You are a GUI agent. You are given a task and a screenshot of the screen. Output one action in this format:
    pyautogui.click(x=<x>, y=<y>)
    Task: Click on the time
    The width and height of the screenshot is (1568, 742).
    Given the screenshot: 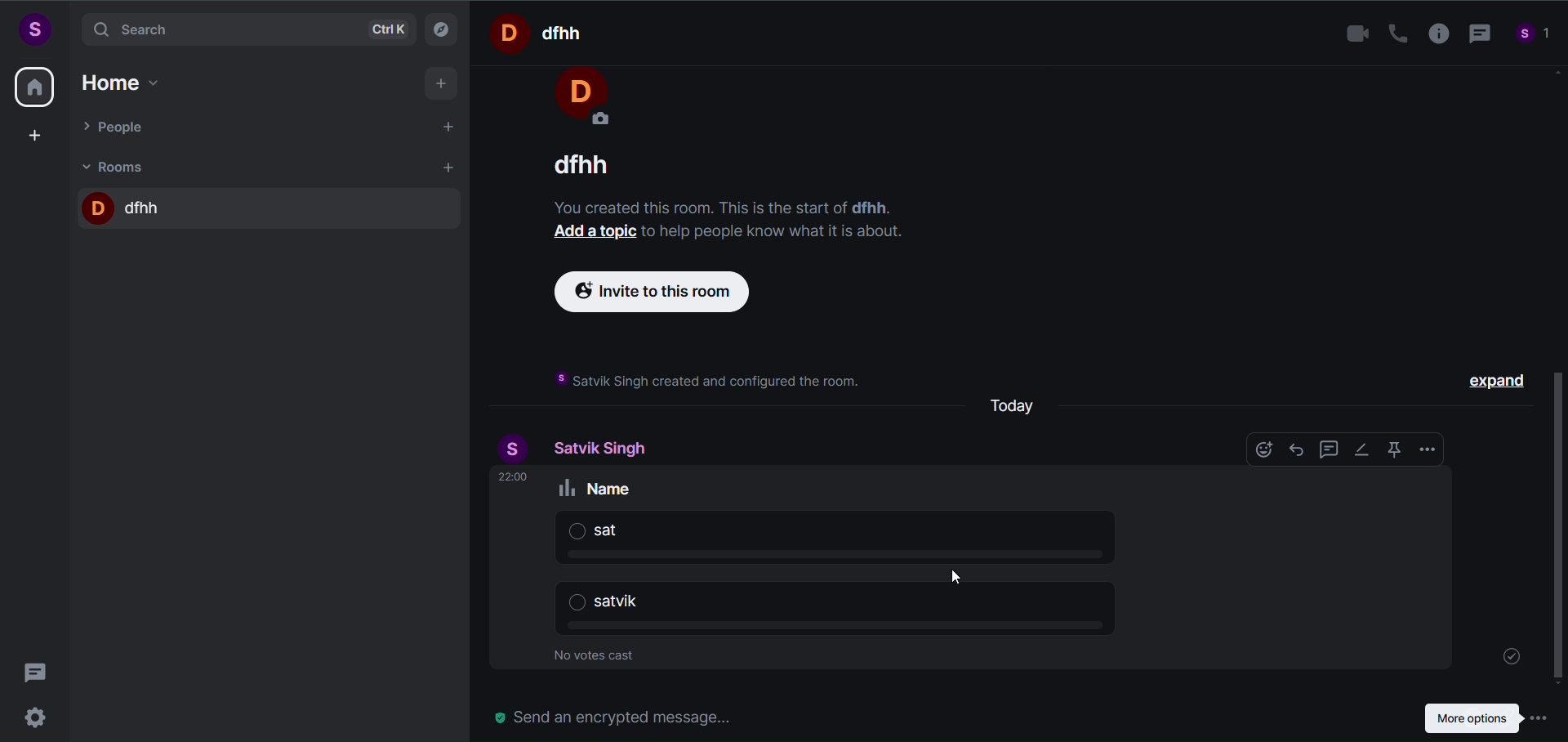 What is the action you would take?
    pyautogui.click(x=514, y=477)
    